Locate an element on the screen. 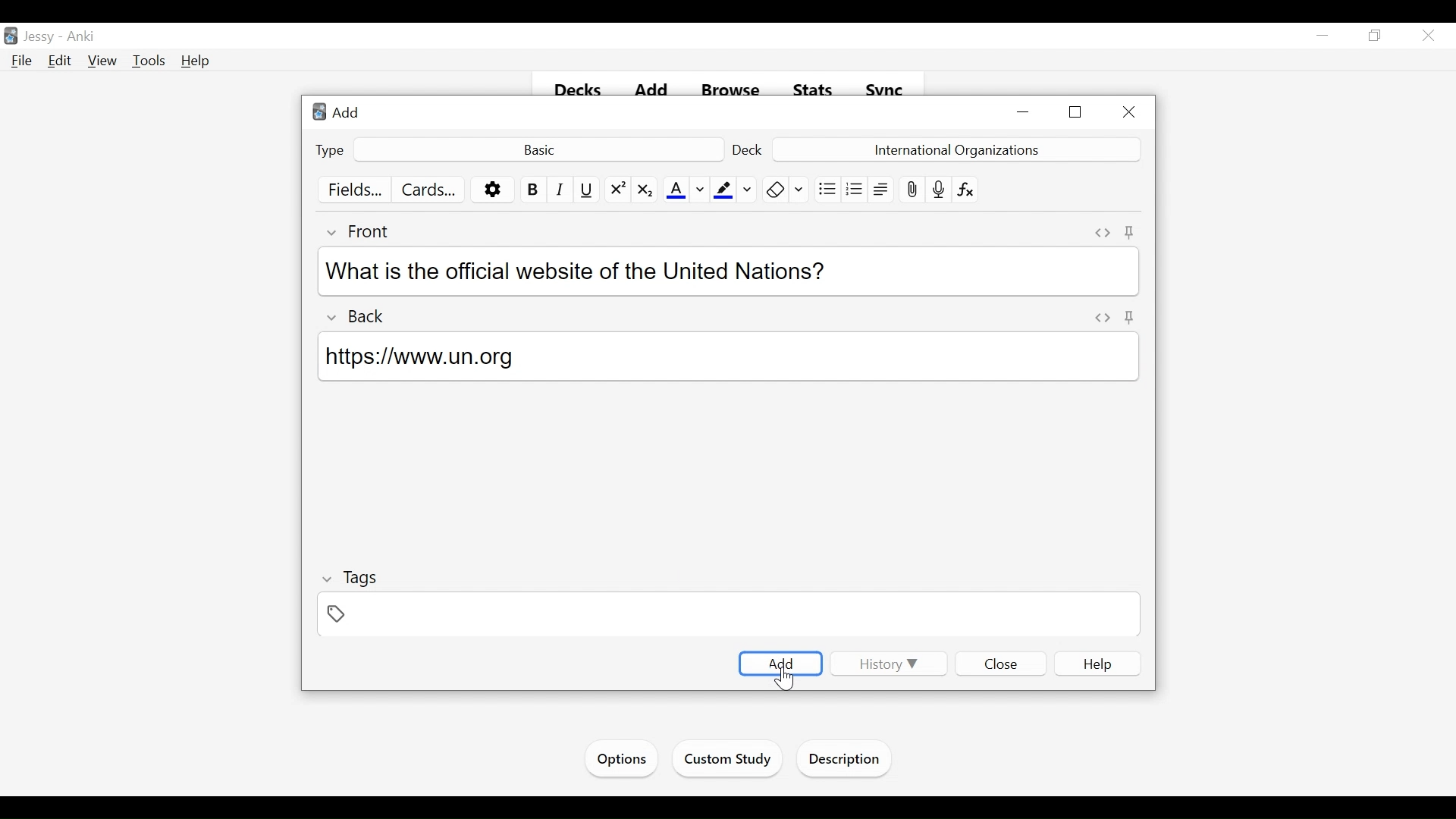  https://www.un.org is located at coordinates (726, 358).